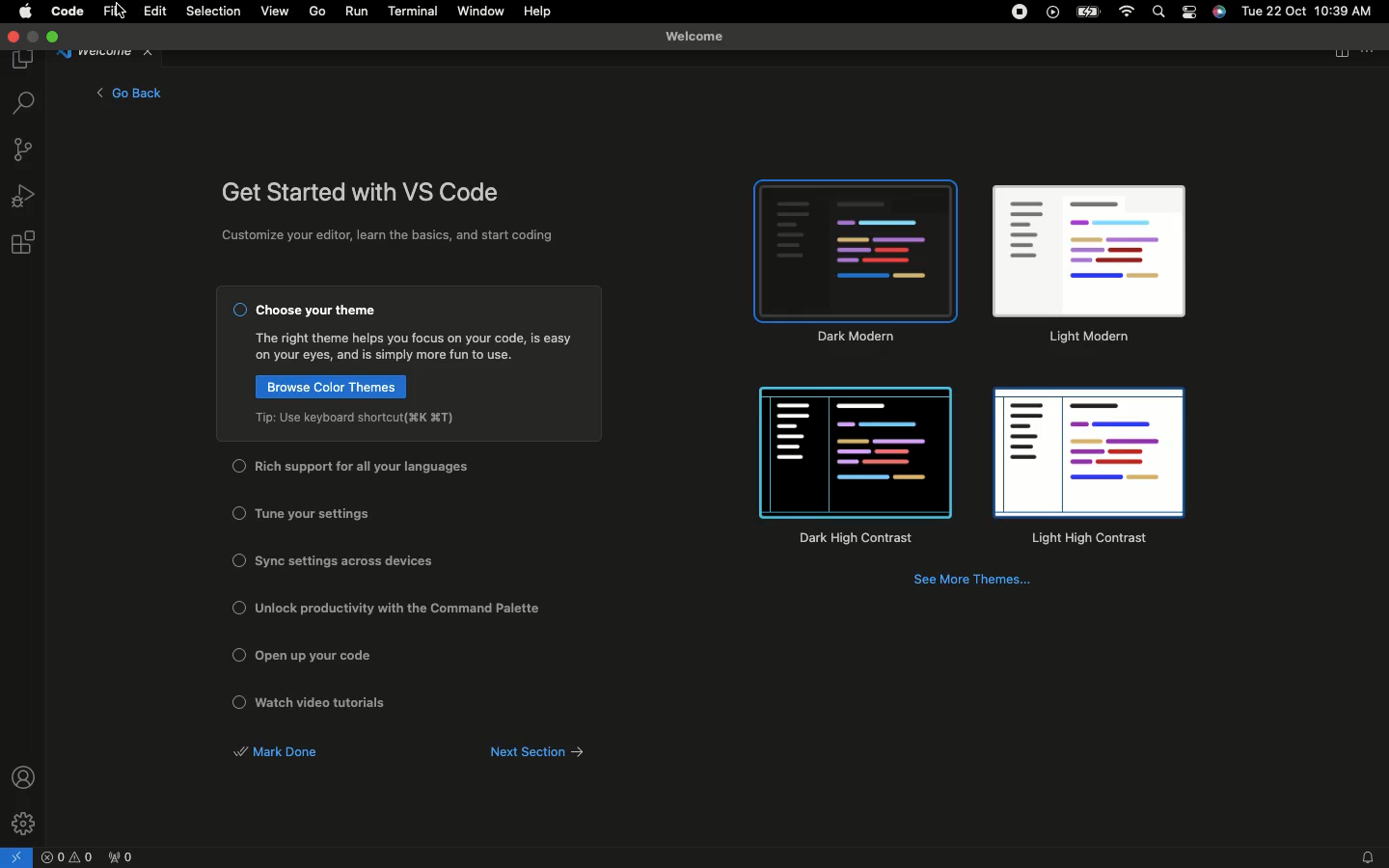  Describe the element at coordinates (1091, 12) in the screenshot. I see `Battery` at that location.